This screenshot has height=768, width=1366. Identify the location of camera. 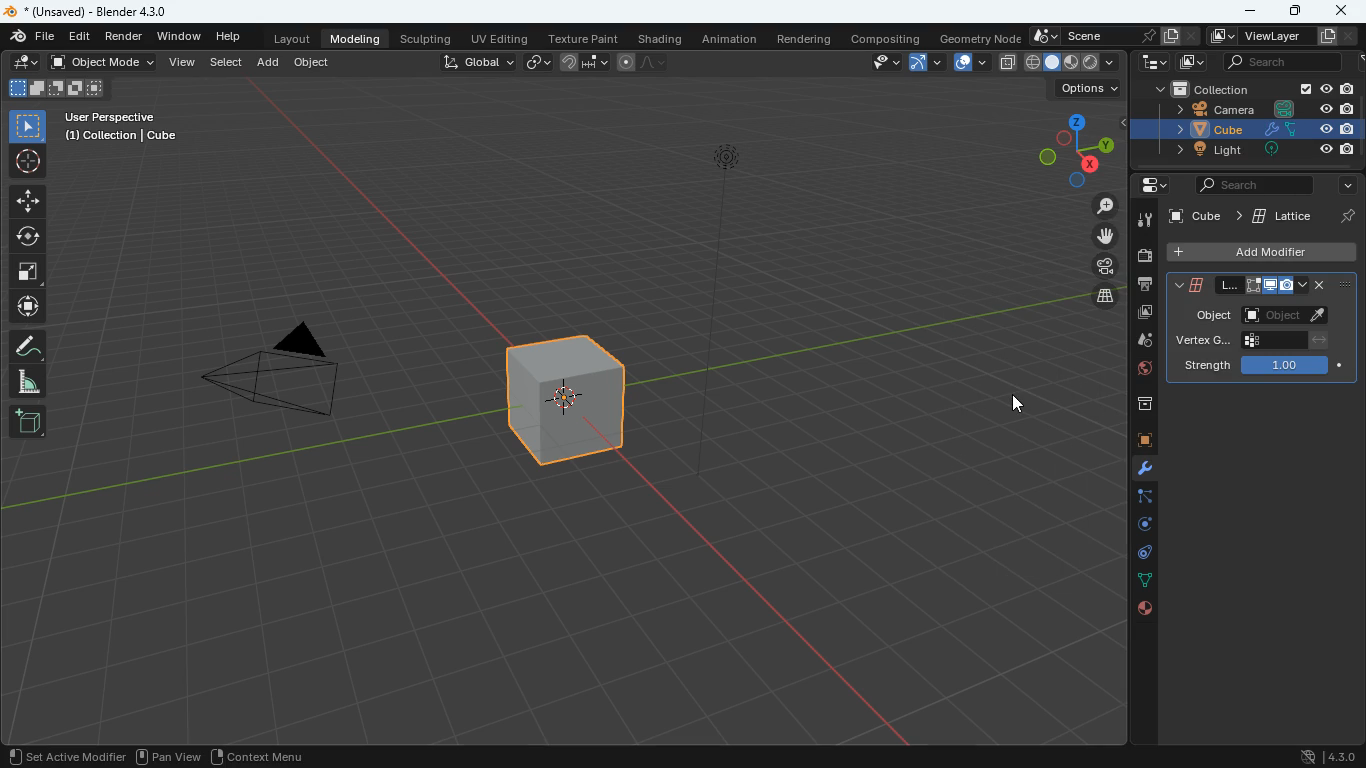
(1255, 112).